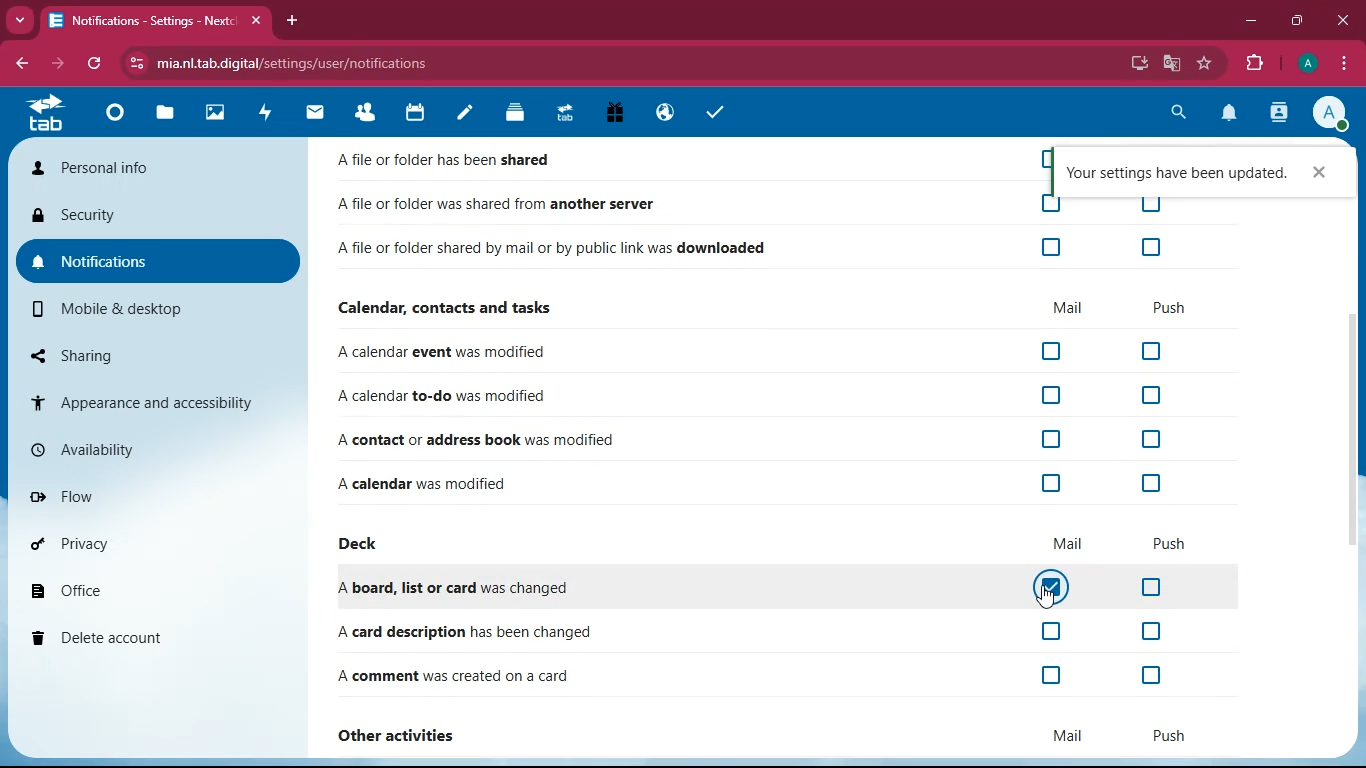  I want to click on Close, so click(1326, 172).